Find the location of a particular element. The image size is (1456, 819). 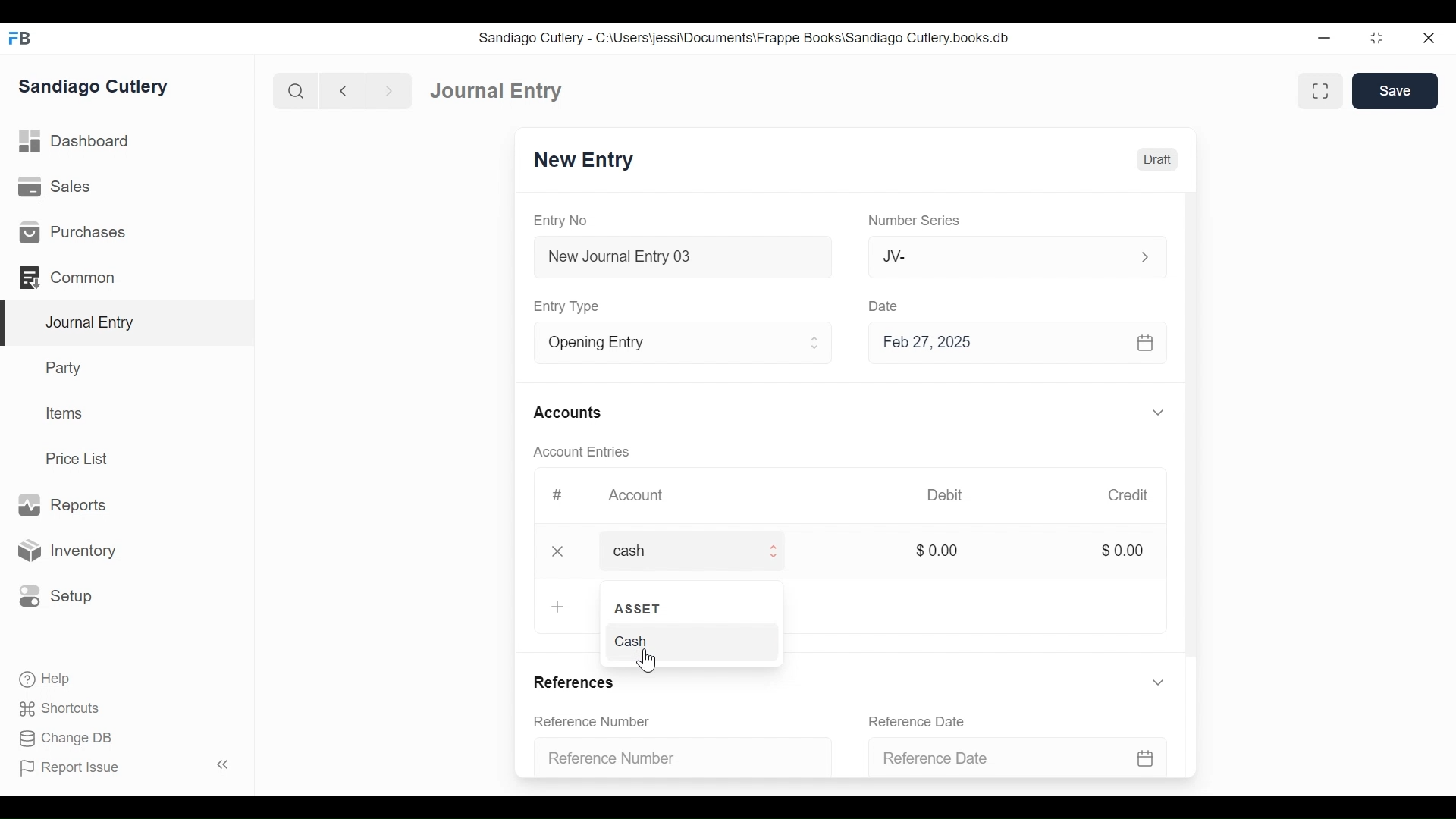

Account Entries is located at coordinates (580, 452).